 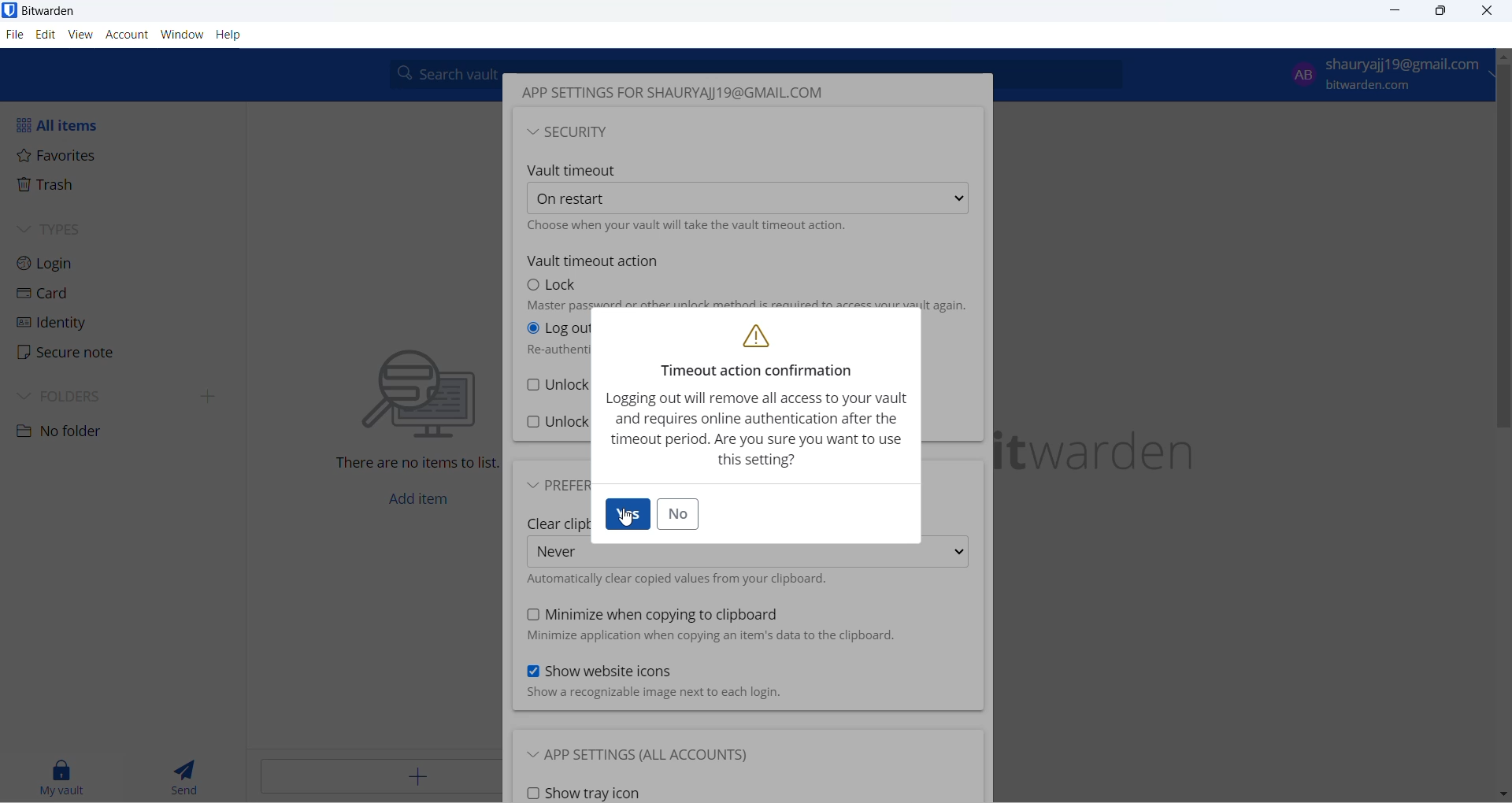 What do you see at coordinates (63, 264) in the screenshot?
I see `Login` at bounding box center [63, 264].